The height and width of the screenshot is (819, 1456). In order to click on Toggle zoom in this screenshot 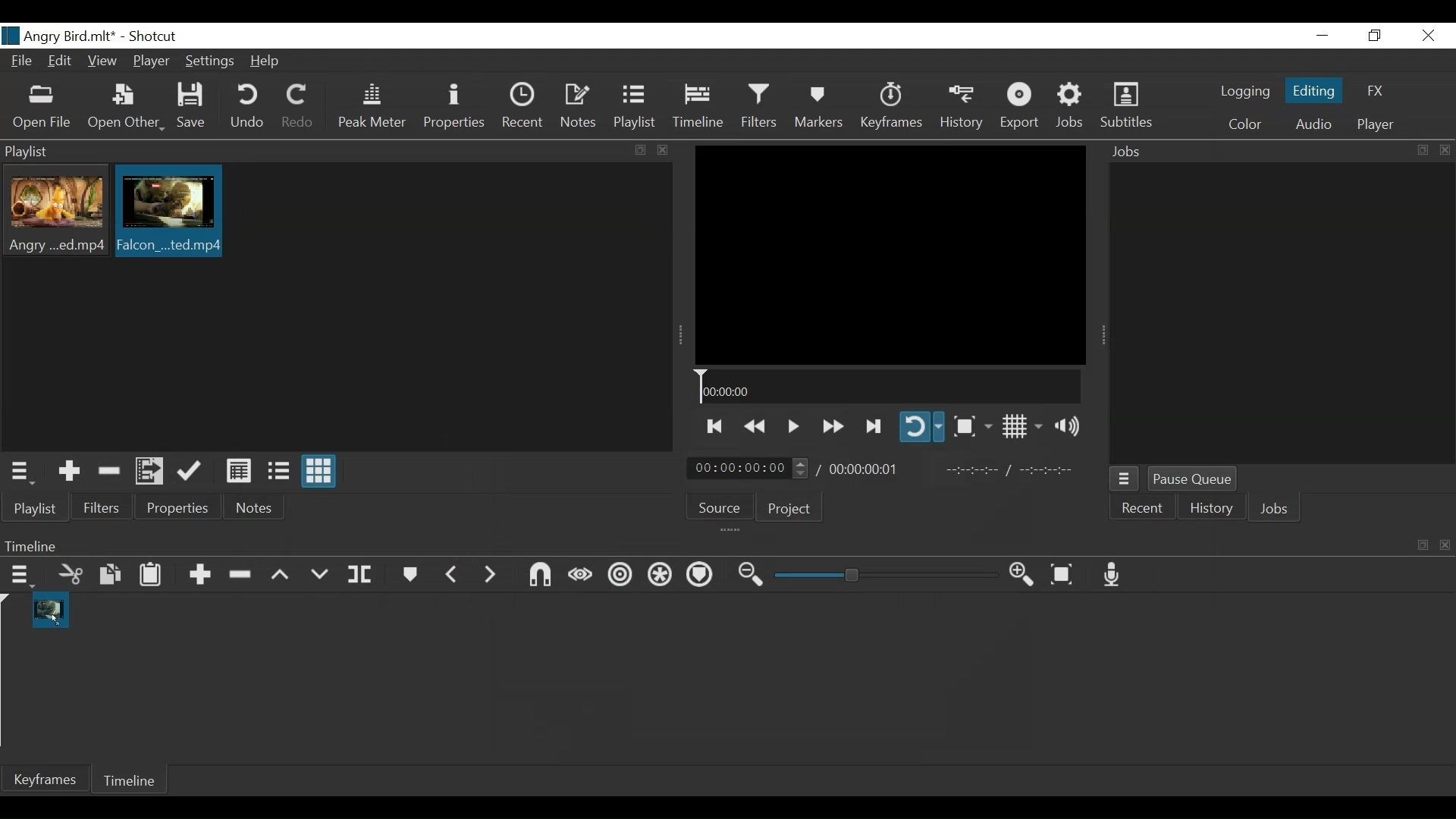, I will do `click(972, 426)`.